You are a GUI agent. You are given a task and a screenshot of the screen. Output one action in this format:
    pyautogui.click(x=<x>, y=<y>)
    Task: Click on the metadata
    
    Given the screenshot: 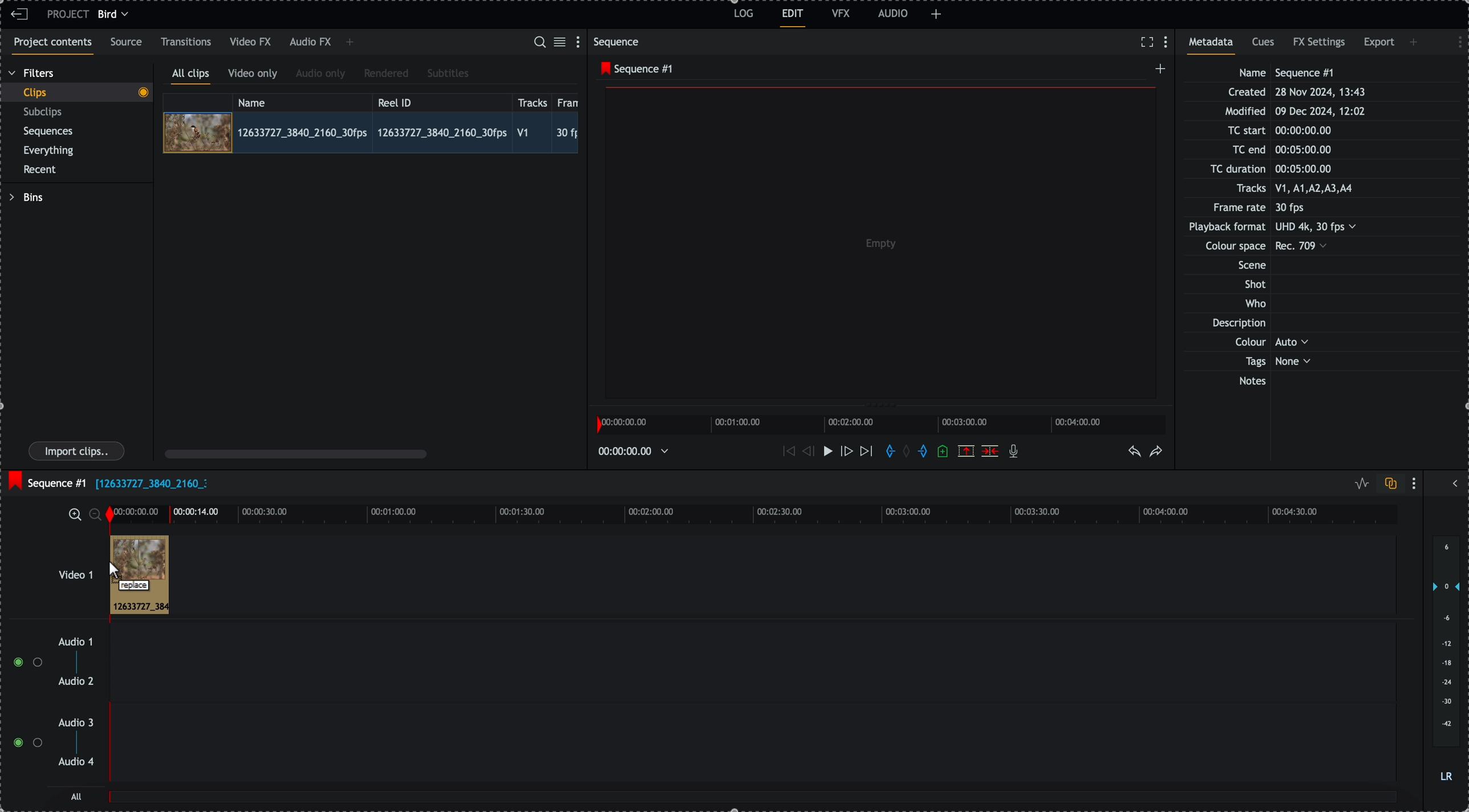 What is the action you would take?
    pyautogui.click(x=1284, y=228)
    